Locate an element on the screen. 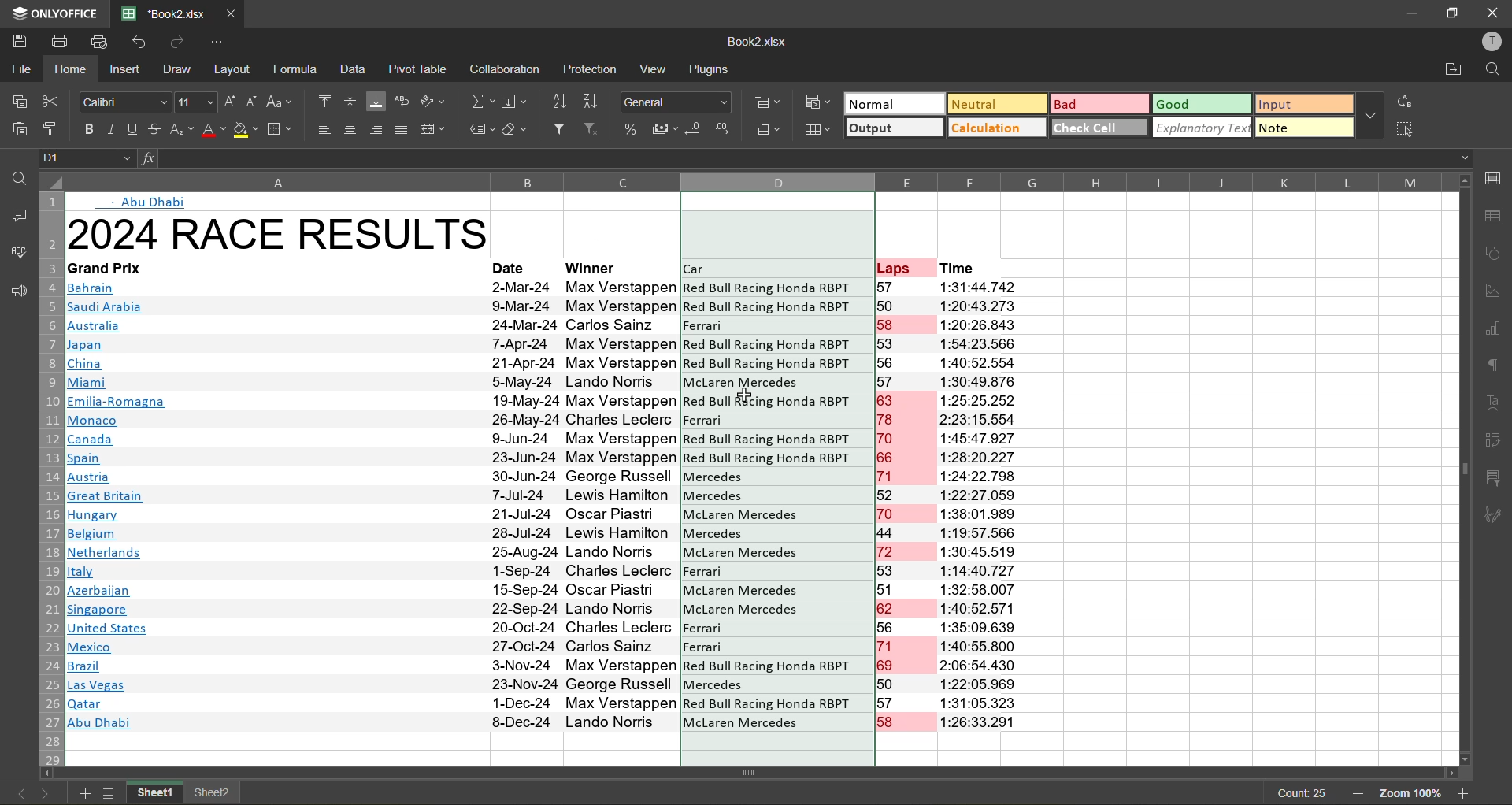  Bahrain 2-Mar-24 Max Verstappen Red Bull Racing Honda RBP 1 57 1:31:44.7/472 is located at coordinates (540, 288).